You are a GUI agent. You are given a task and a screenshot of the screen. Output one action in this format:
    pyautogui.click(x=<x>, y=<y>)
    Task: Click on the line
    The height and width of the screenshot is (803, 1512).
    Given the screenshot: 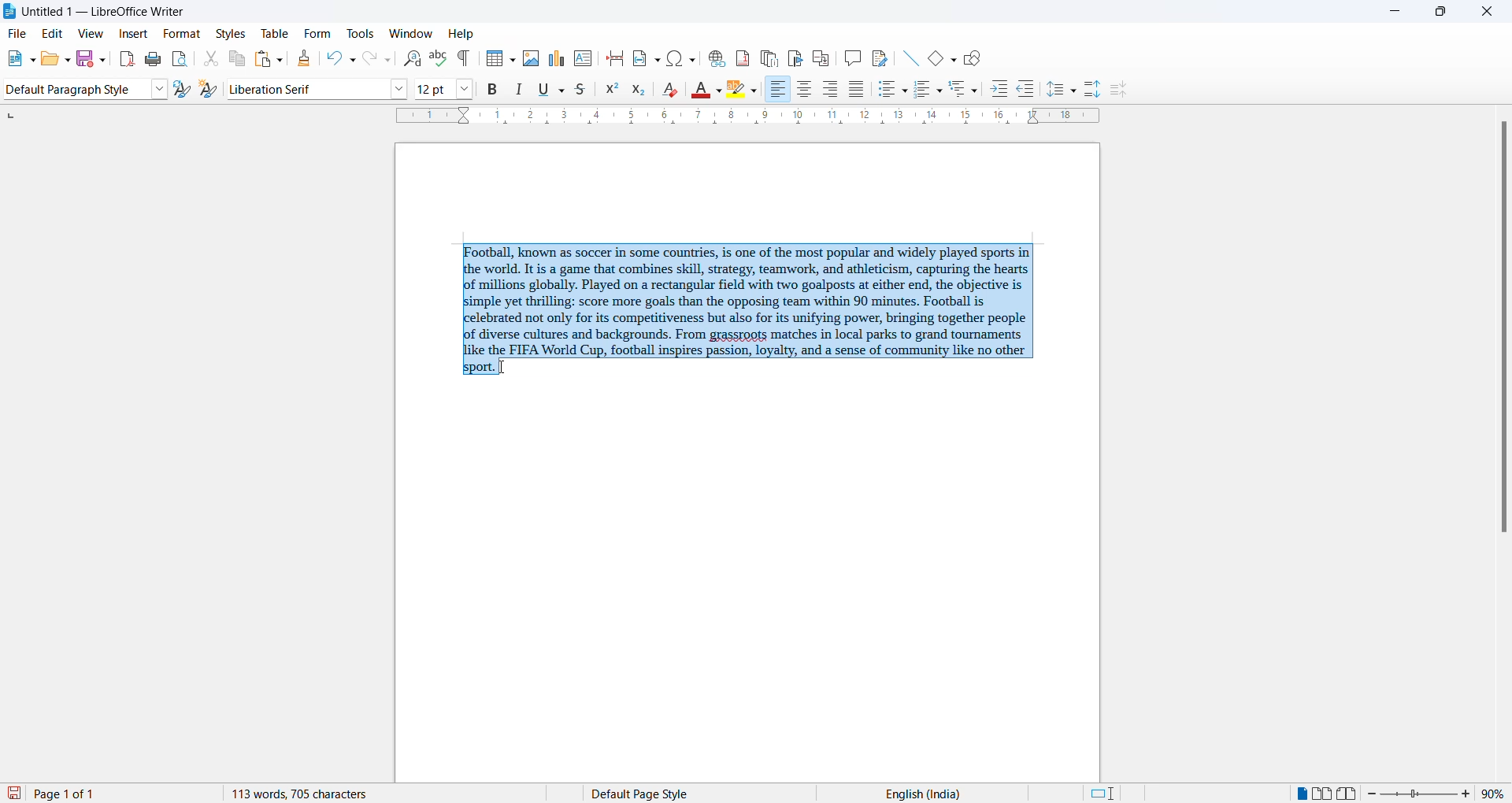 What is the action you would take?
    pyautogui.click(x=908, y=58)
    